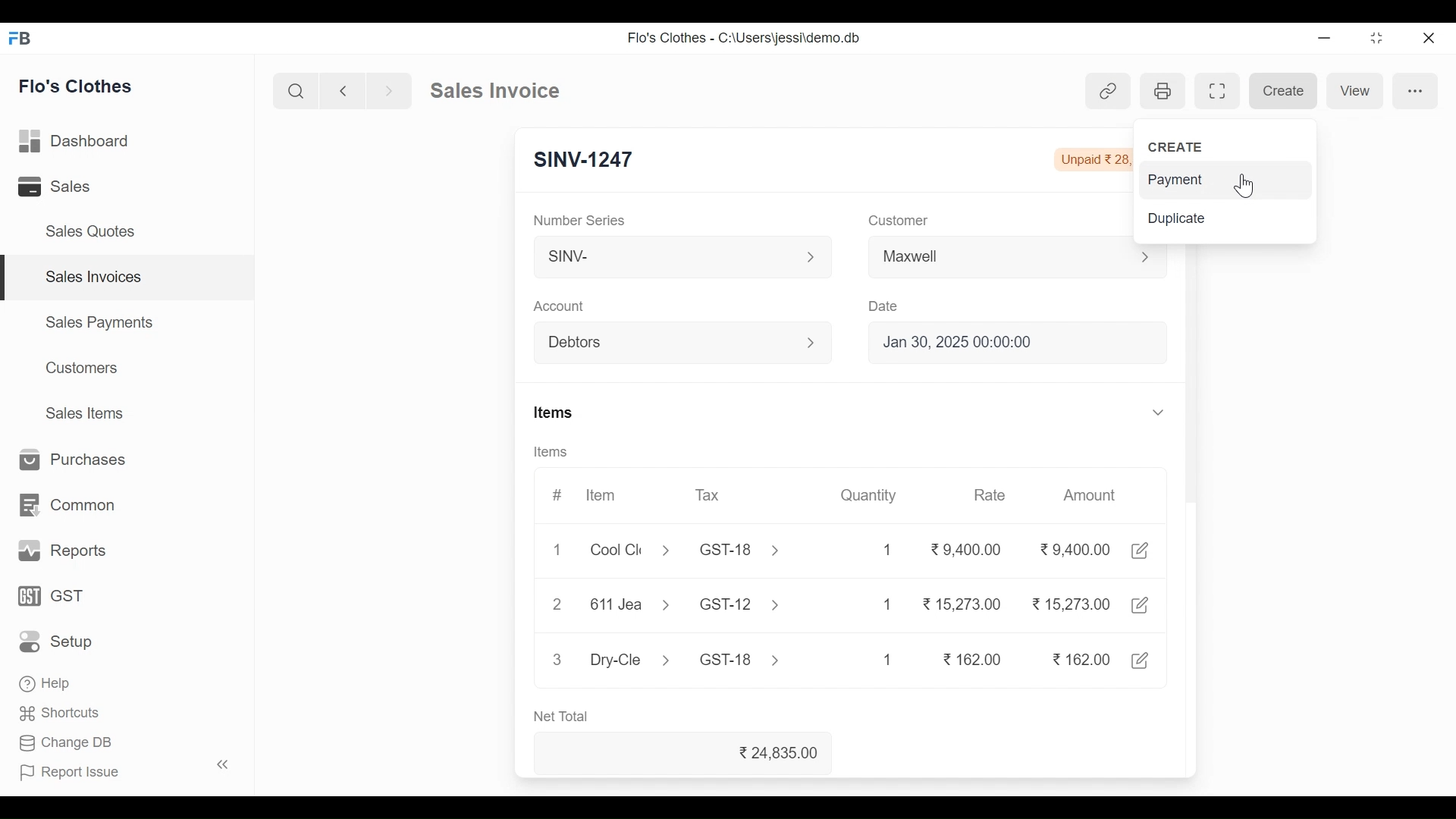  Describe the element at coordinates (1088, 494) in the screenshot. I see `Amount` at that location.